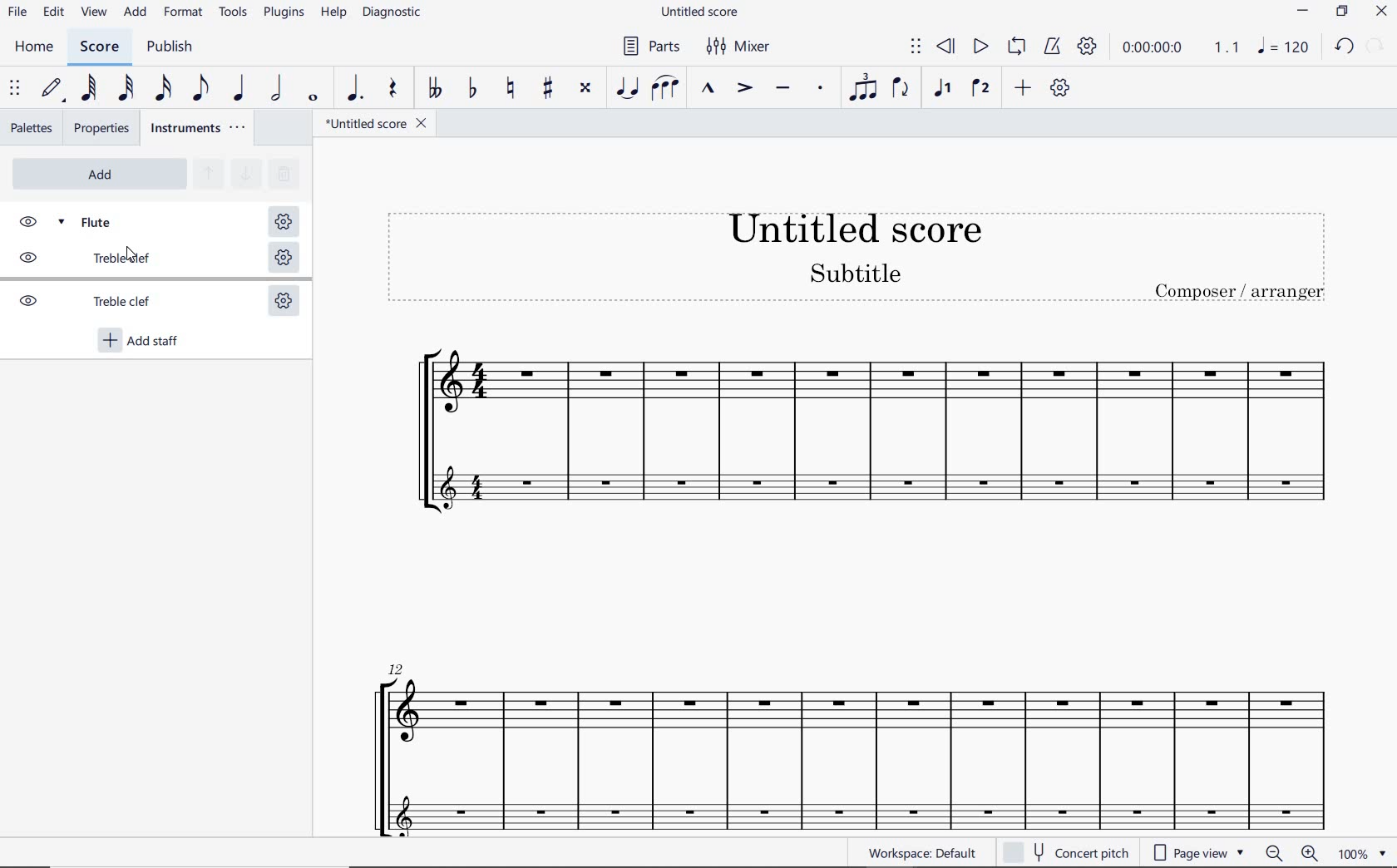 The image size is (1397, 868). Describe the element at coordinates (101, 128) in the screenshot. I see `properties` at that location.